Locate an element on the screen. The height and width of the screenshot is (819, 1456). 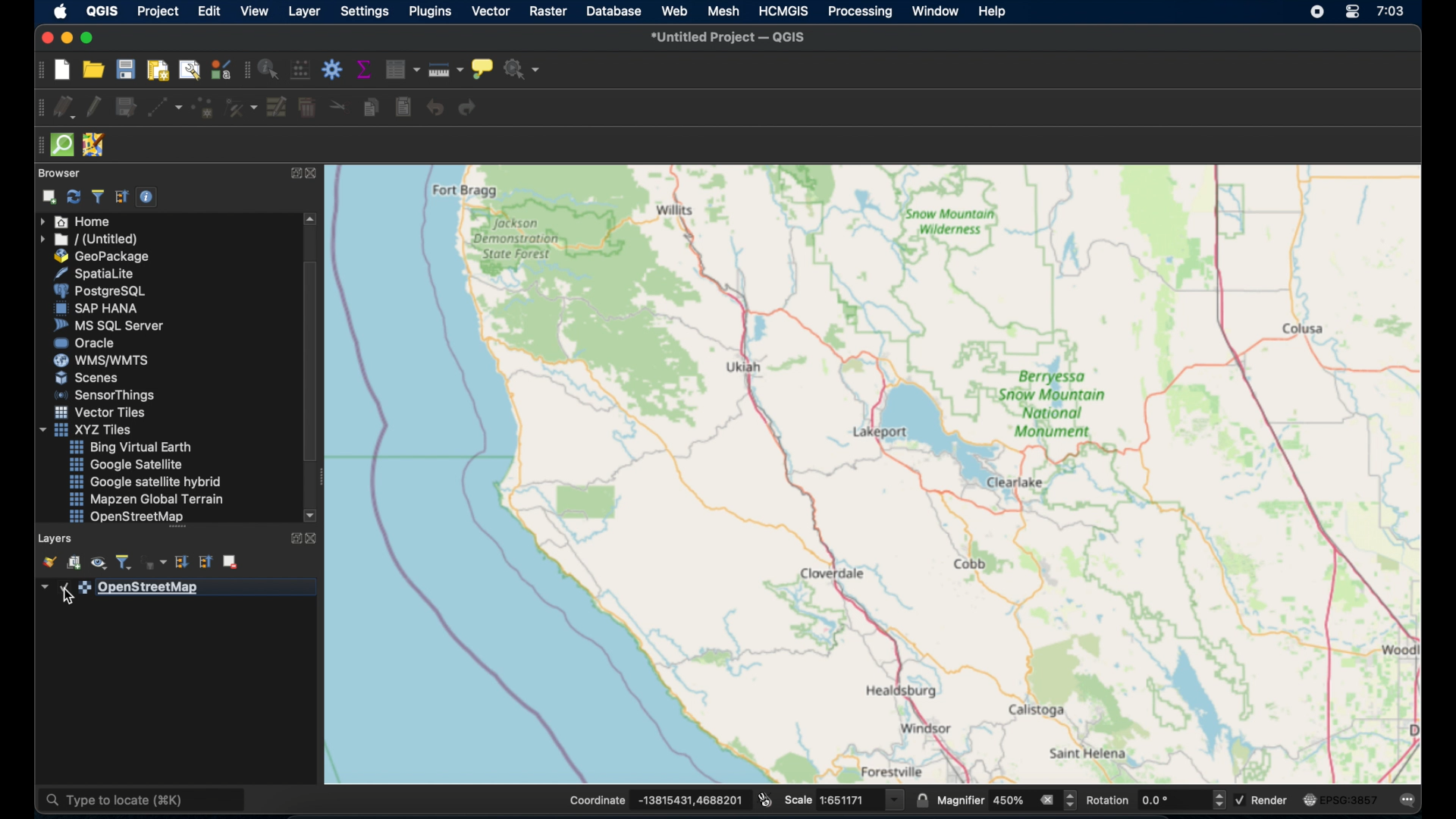
untitled project is located at coordinates (725, 34).